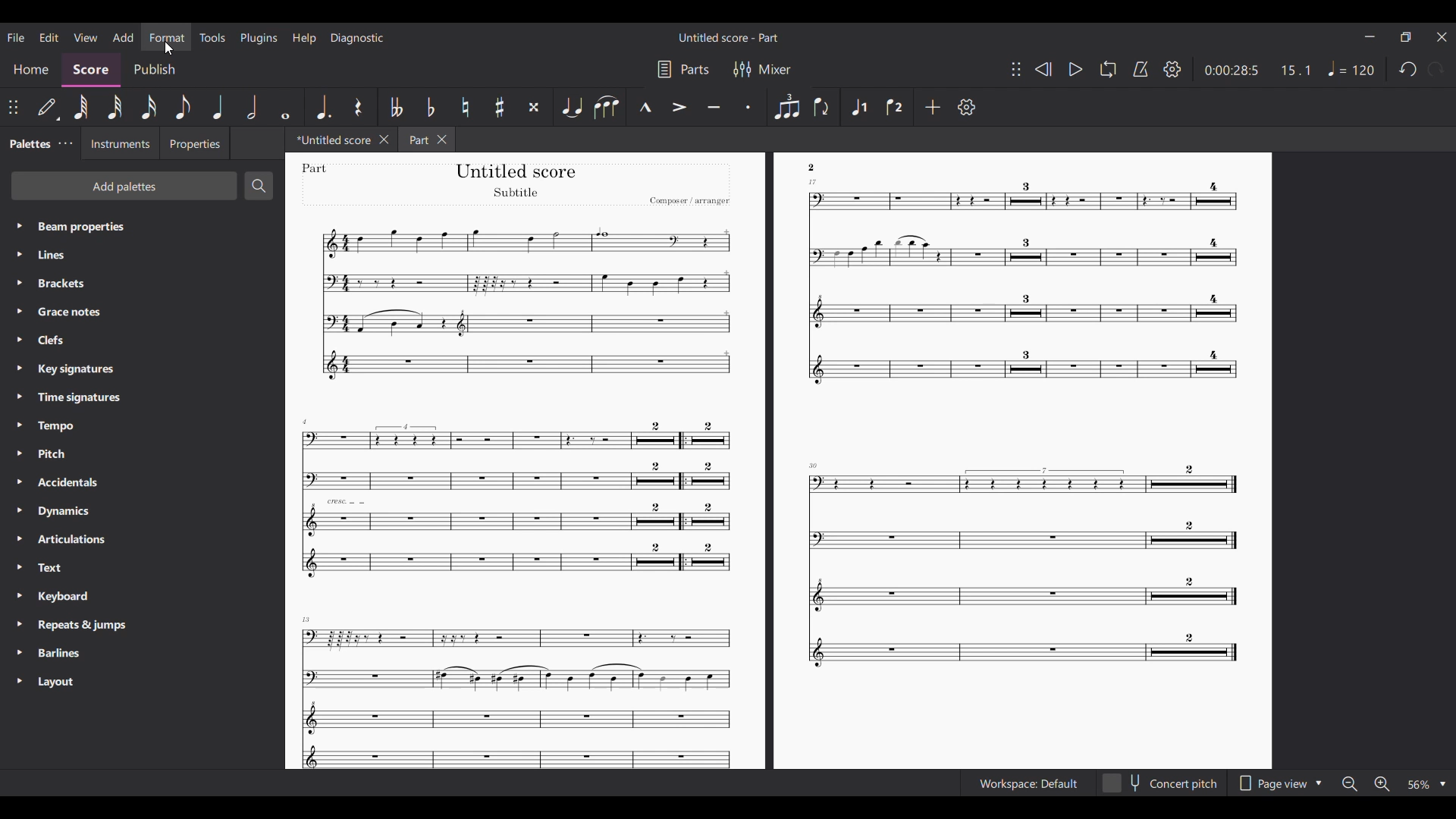 The width and height of the screenshot is (1456, 819). Describe the element at coordinates (607, 107) in the screenshot. I see `Slur` at that location.